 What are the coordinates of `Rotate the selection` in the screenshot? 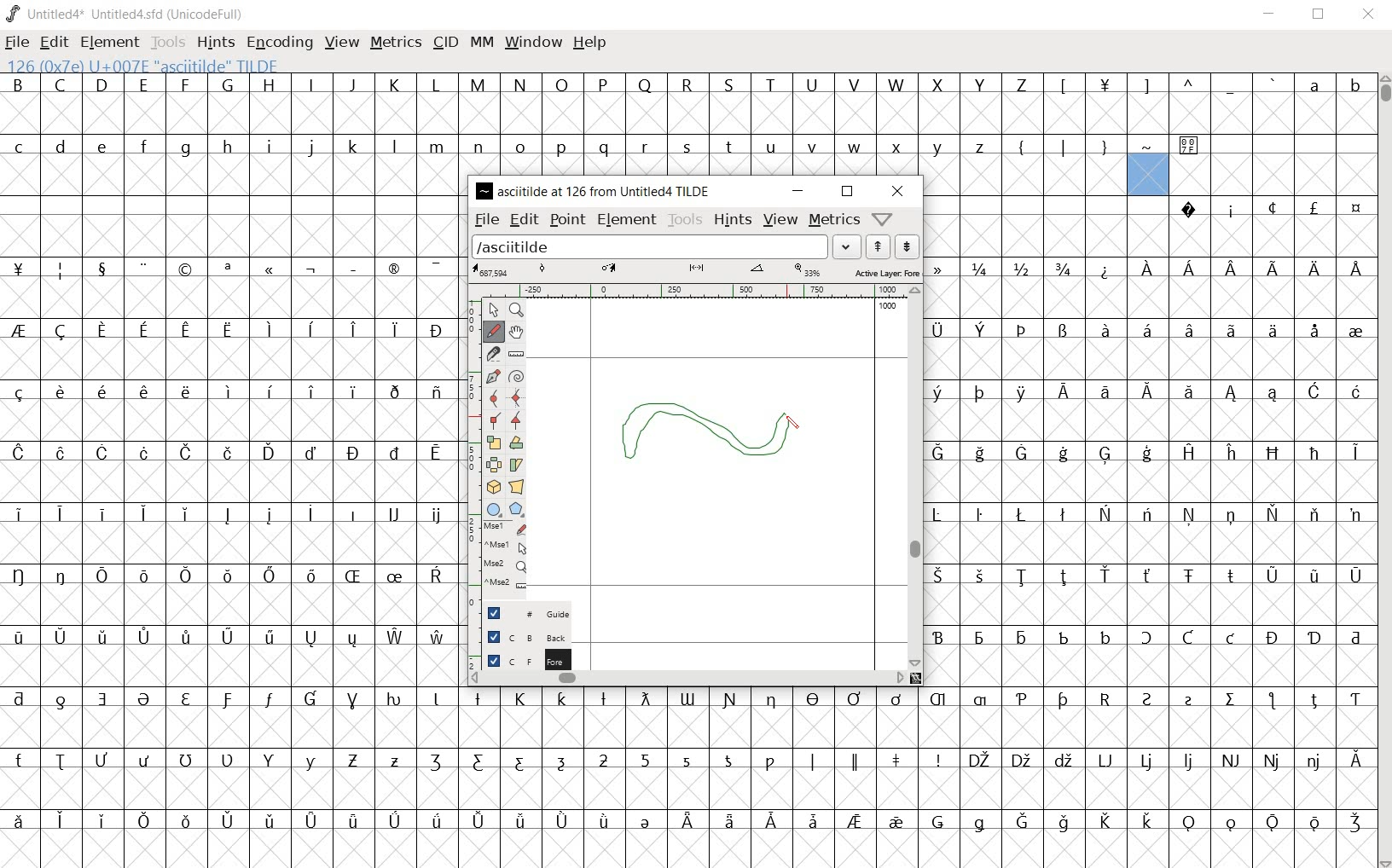 It's located at (516, 465).